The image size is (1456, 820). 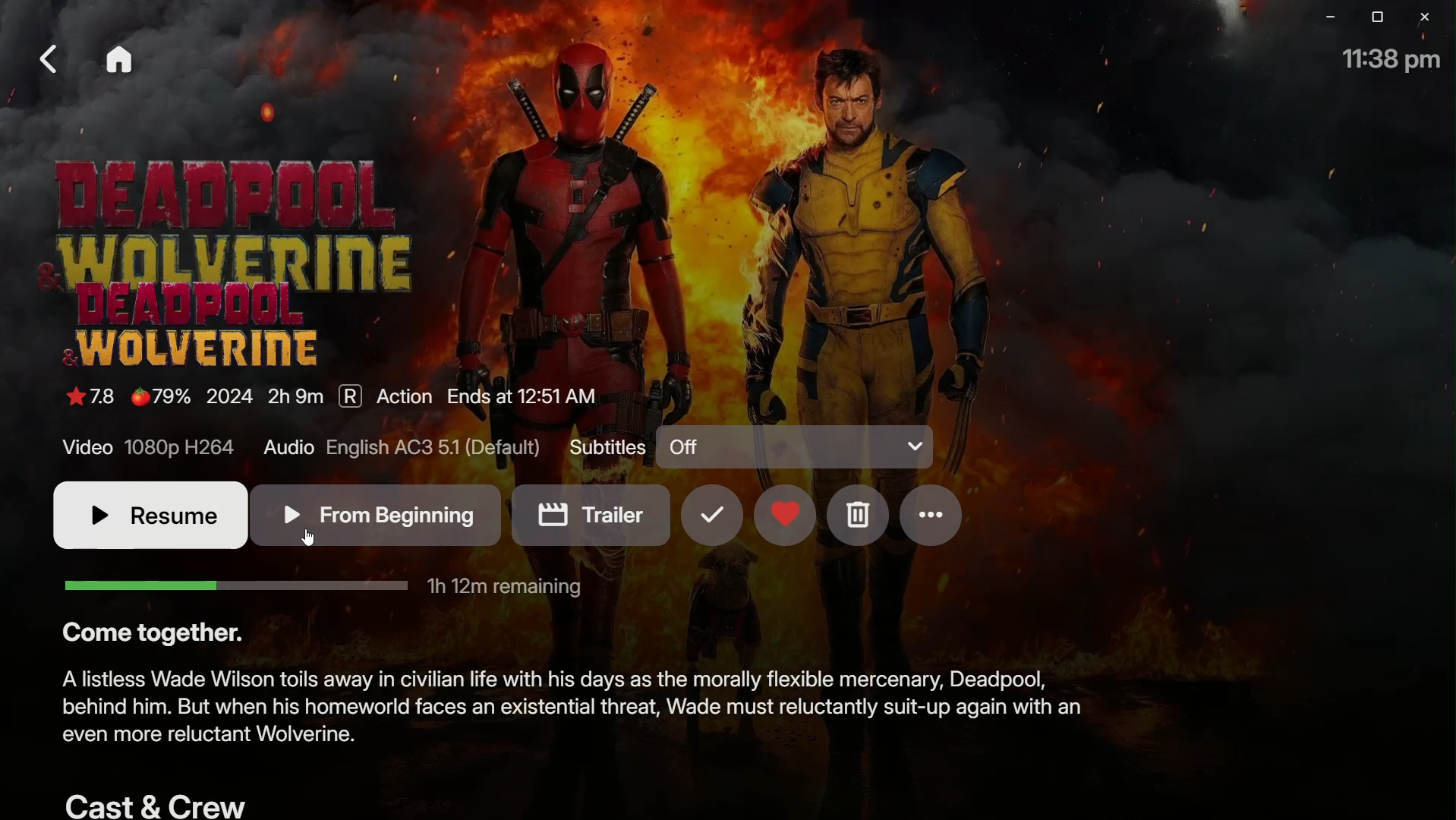 I want to click on Caption, so click(x=154, y=634).